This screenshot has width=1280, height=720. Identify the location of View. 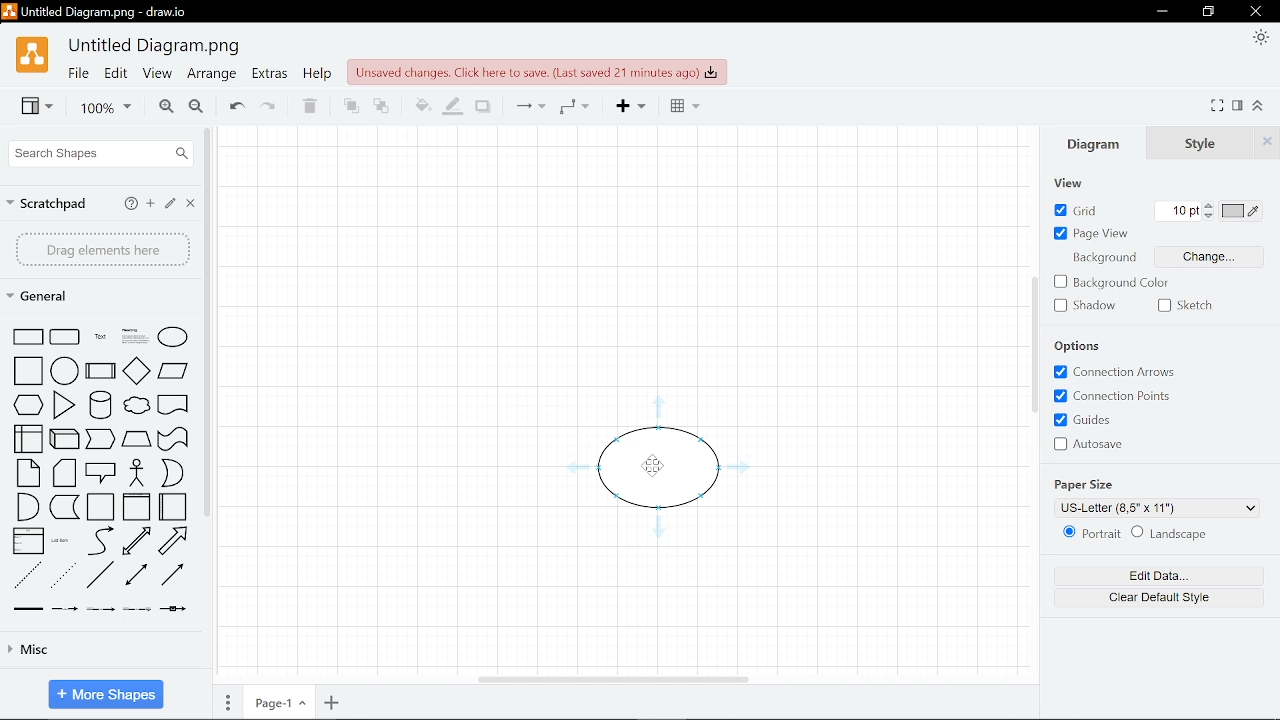
(159, 73).